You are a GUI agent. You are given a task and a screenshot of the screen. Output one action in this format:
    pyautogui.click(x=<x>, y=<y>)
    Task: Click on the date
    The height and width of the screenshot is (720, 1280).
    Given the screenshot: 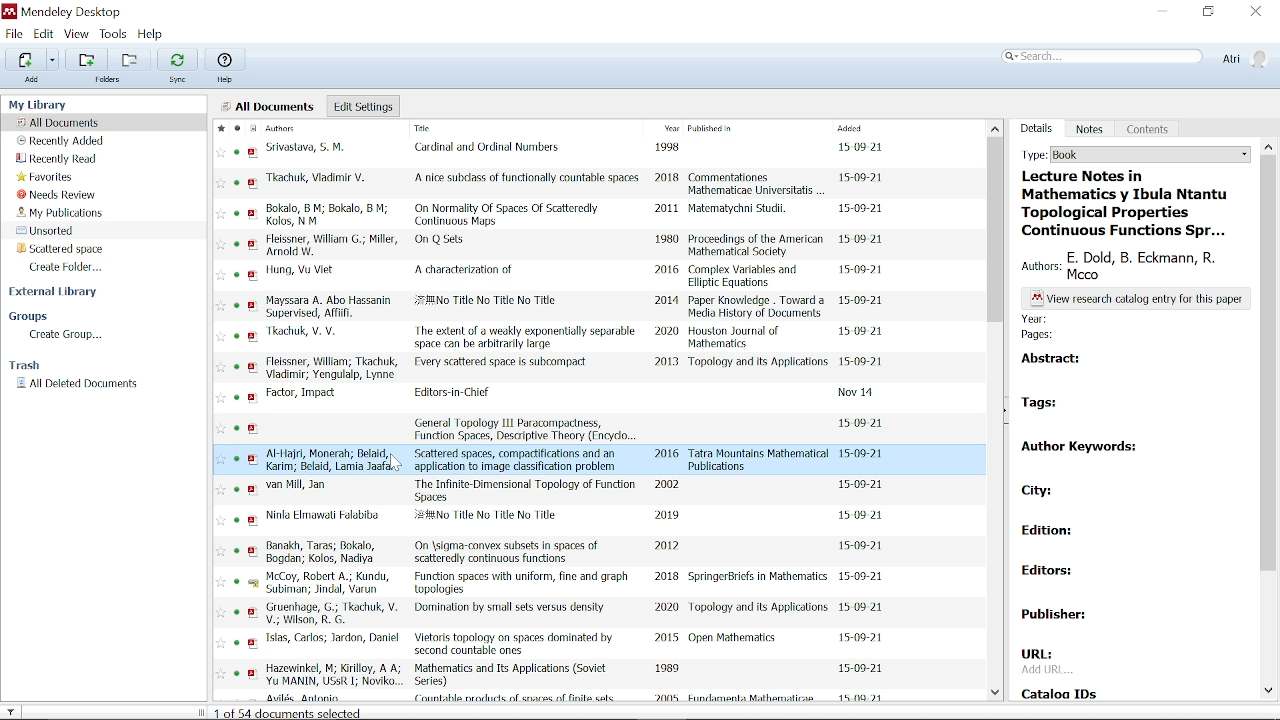 What is the action you would take?
    pyautogui.click(x=863, y=209)
    